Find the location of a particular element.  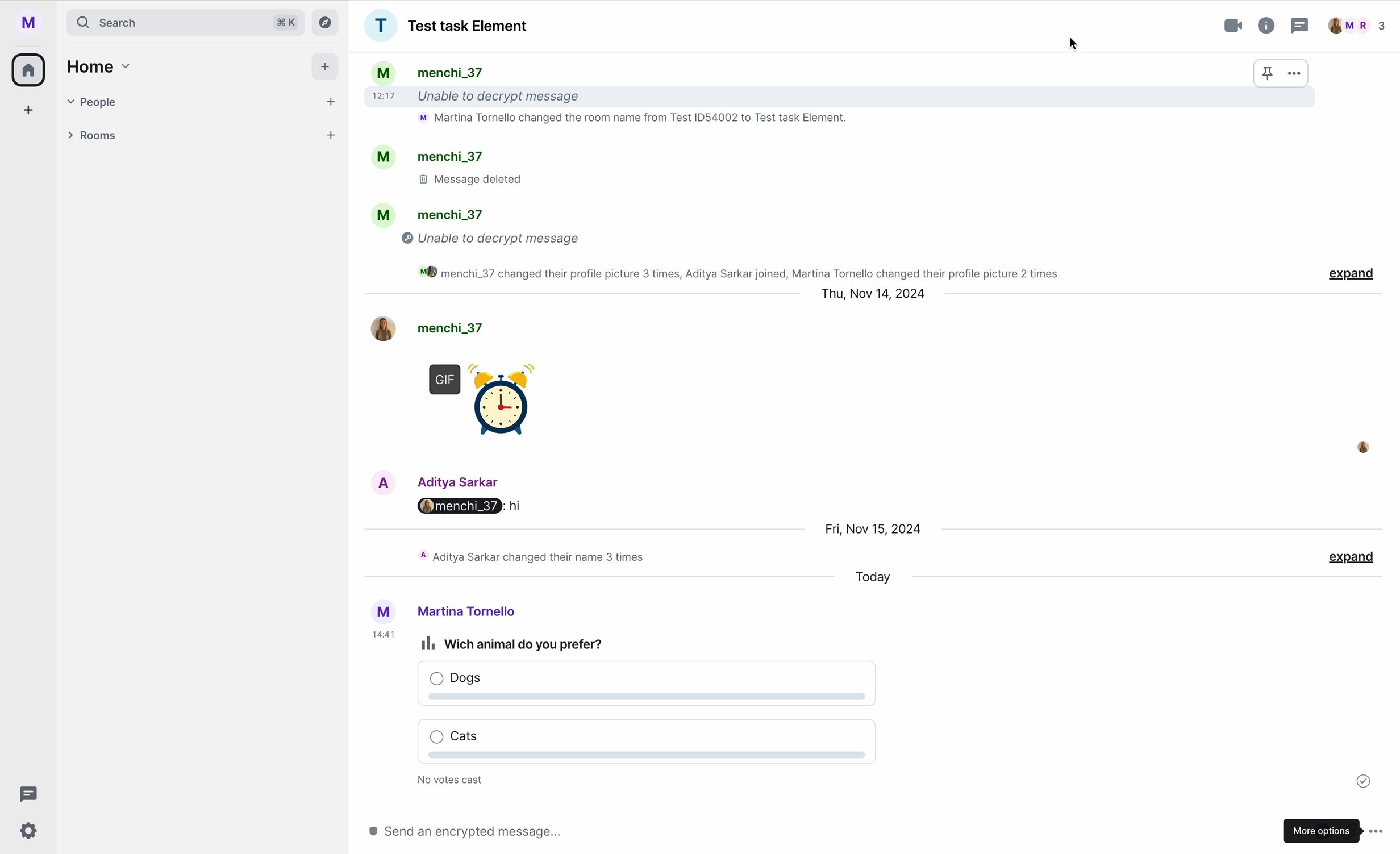

today is located at coordinates (875, 579).